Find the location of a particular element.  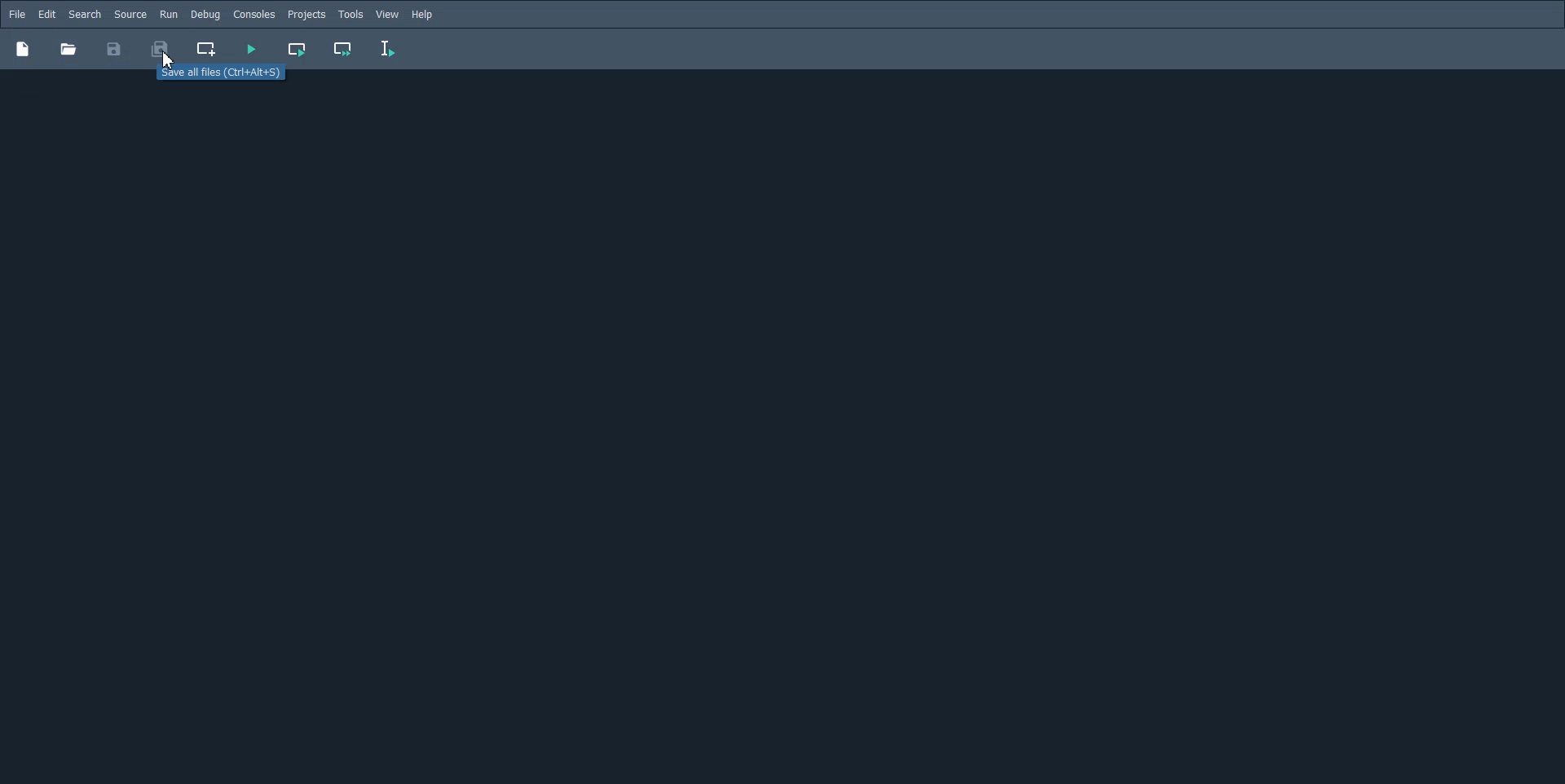

Save All File is located at coordinates (158, 49).